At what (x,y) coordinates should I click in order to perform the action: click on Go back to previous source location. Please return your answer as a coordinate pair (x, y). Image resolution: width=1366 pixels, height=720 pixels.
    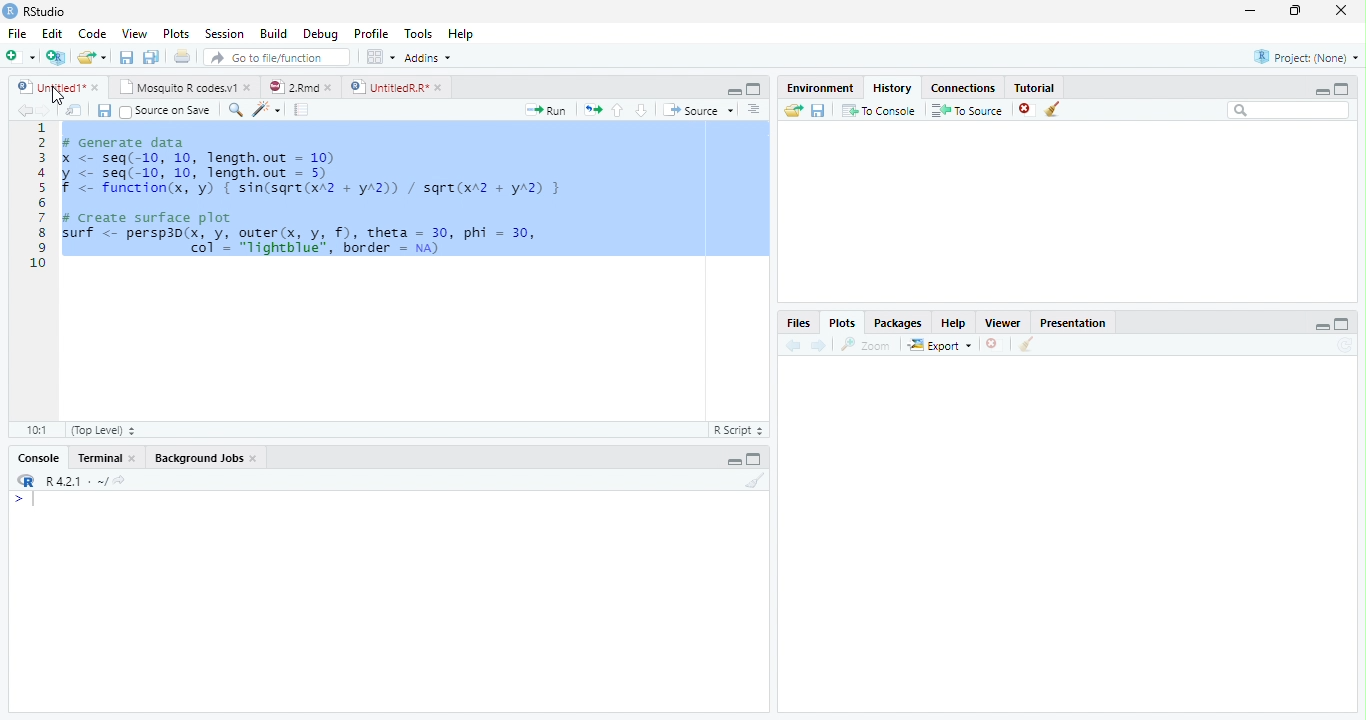
    Looking at the image, I should click on (24, 110).